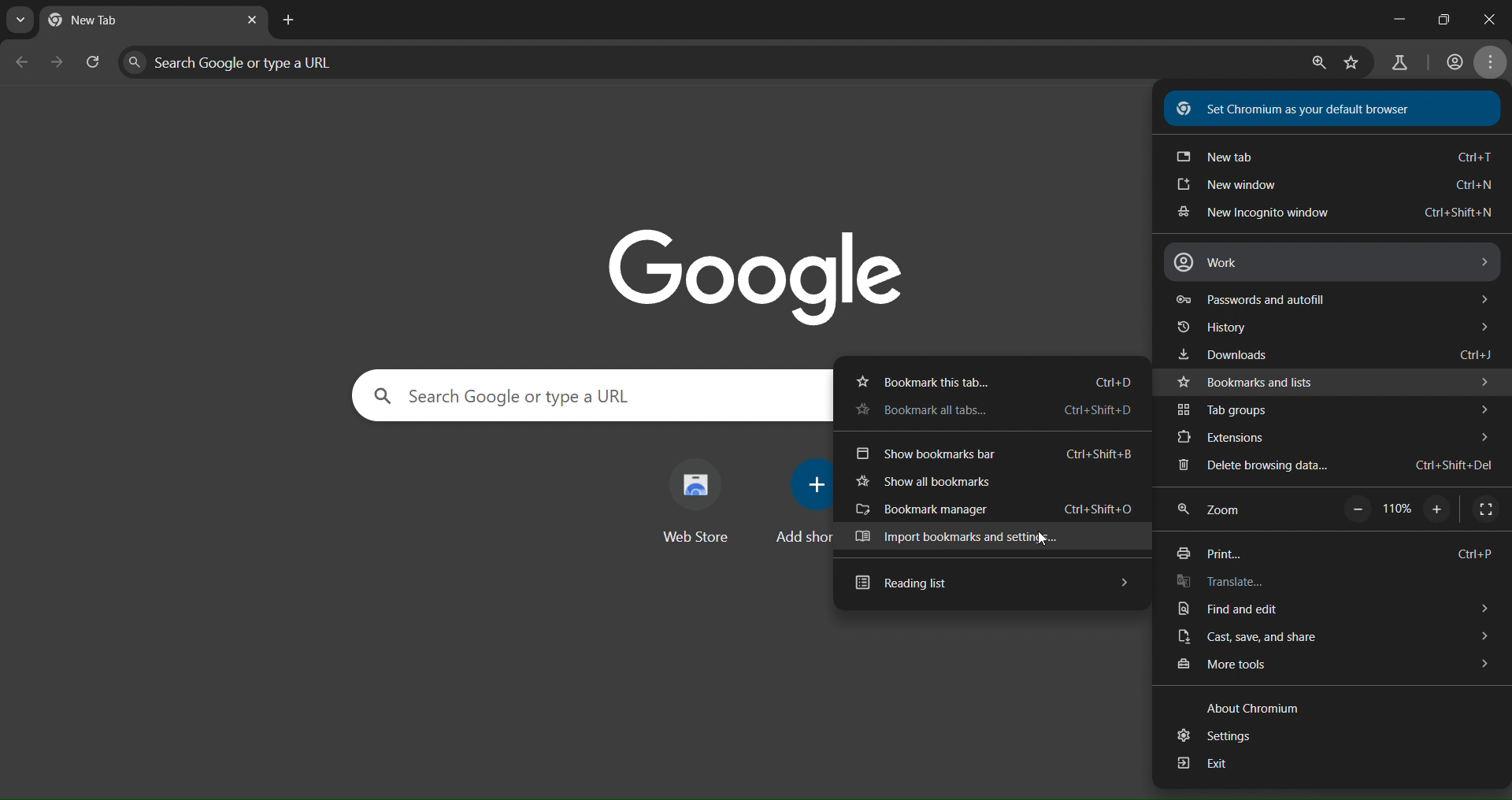  Describe the element at coordinates (1392, 508) in the screenshot. I see `110%` at that location.